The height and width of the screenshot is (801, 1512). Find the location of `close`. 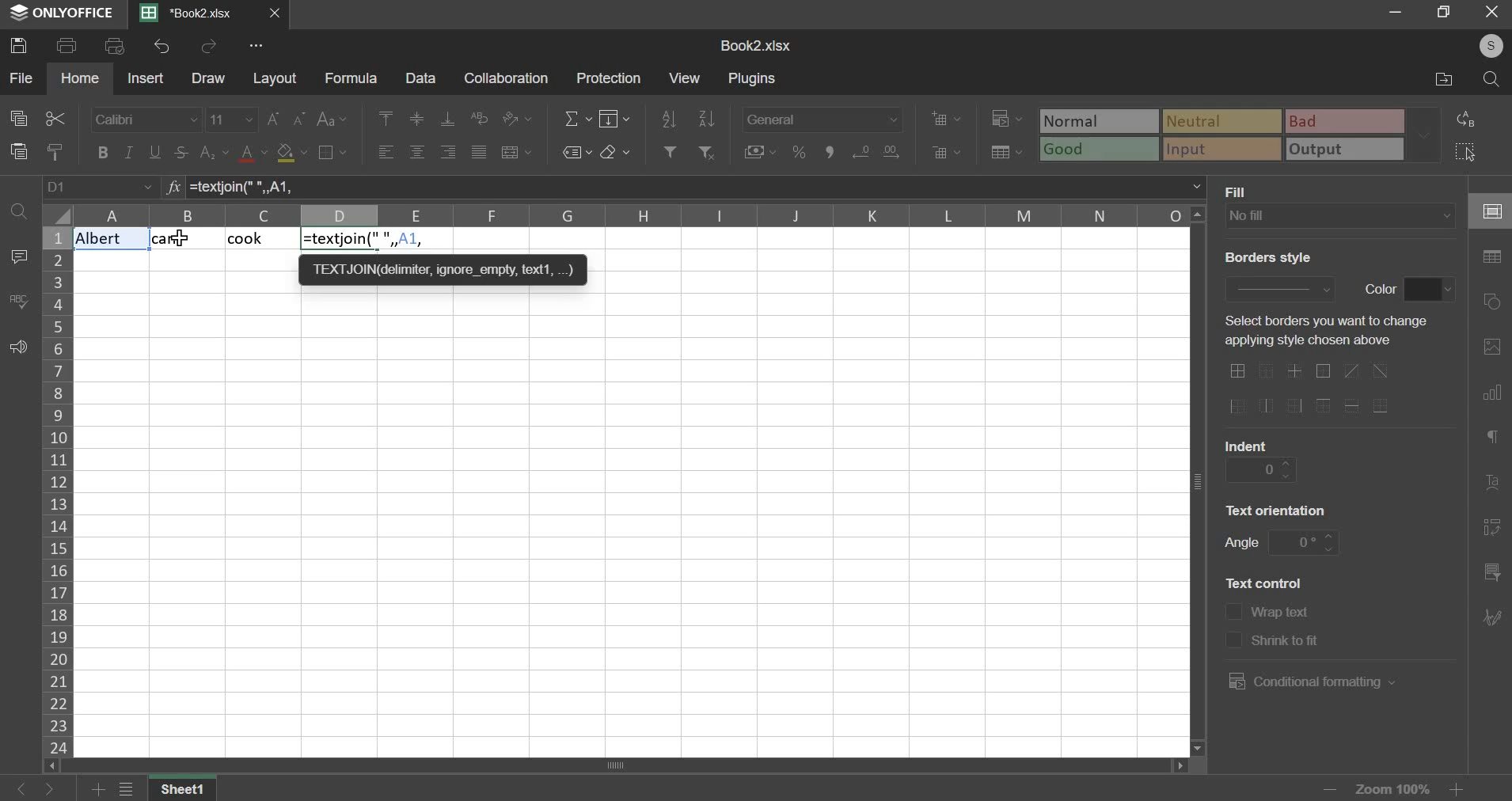

close is located at coordinates (279, 15).